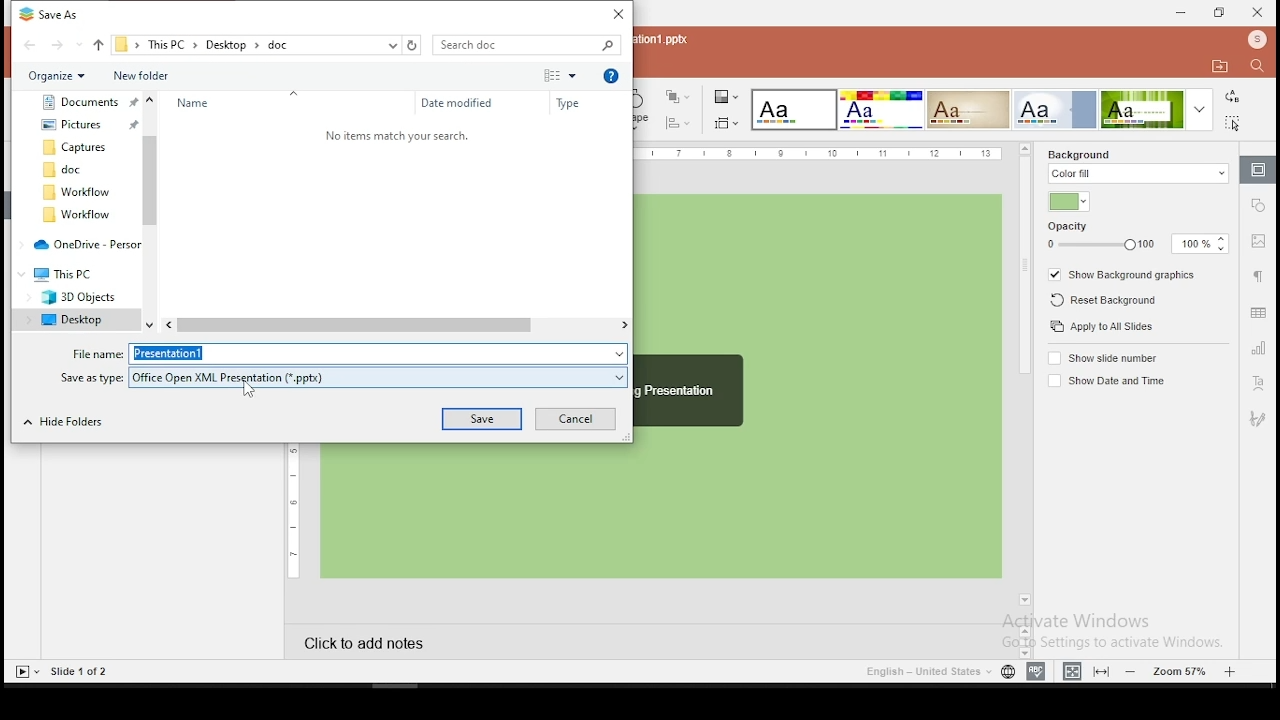 The image size is (1280, 720). Describe the element at coordinates (561, 74) in the screenshot. I see `more options` at that location.